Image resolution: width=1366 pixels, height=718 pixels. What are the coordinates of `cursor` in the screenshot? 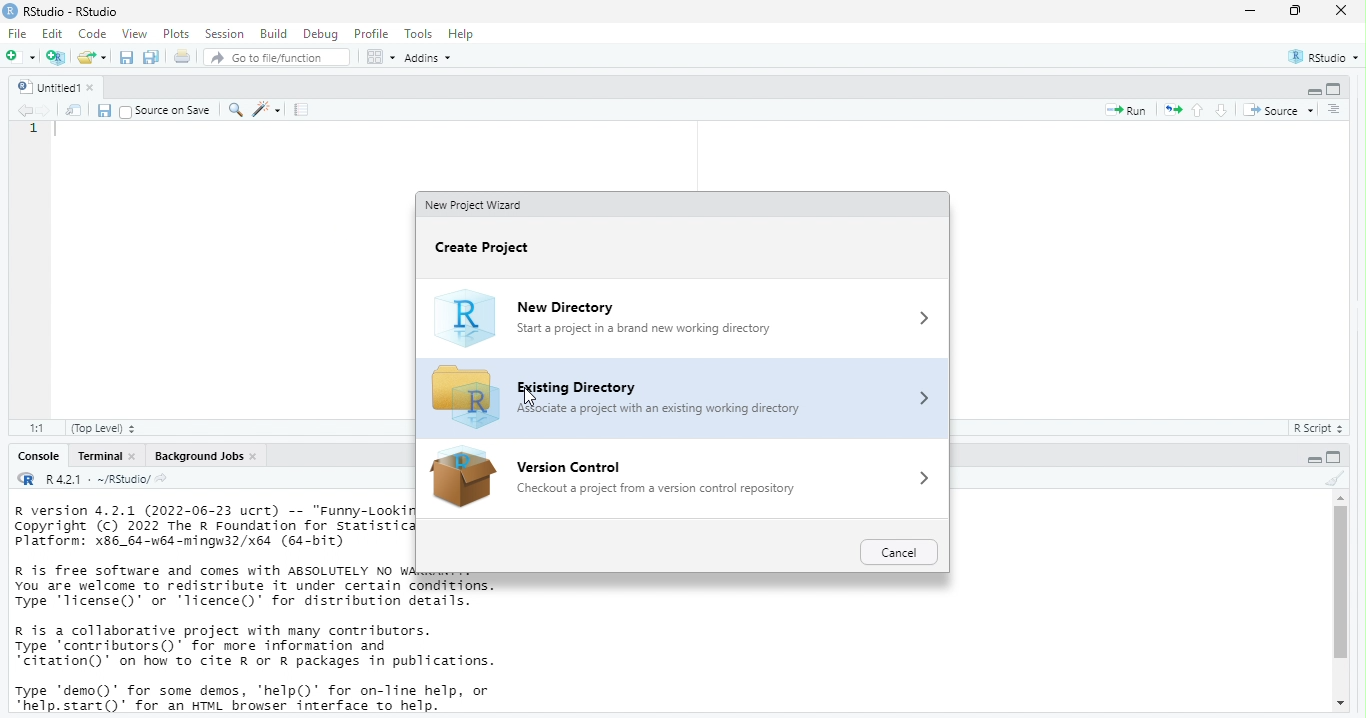 It's located at (533, 397).